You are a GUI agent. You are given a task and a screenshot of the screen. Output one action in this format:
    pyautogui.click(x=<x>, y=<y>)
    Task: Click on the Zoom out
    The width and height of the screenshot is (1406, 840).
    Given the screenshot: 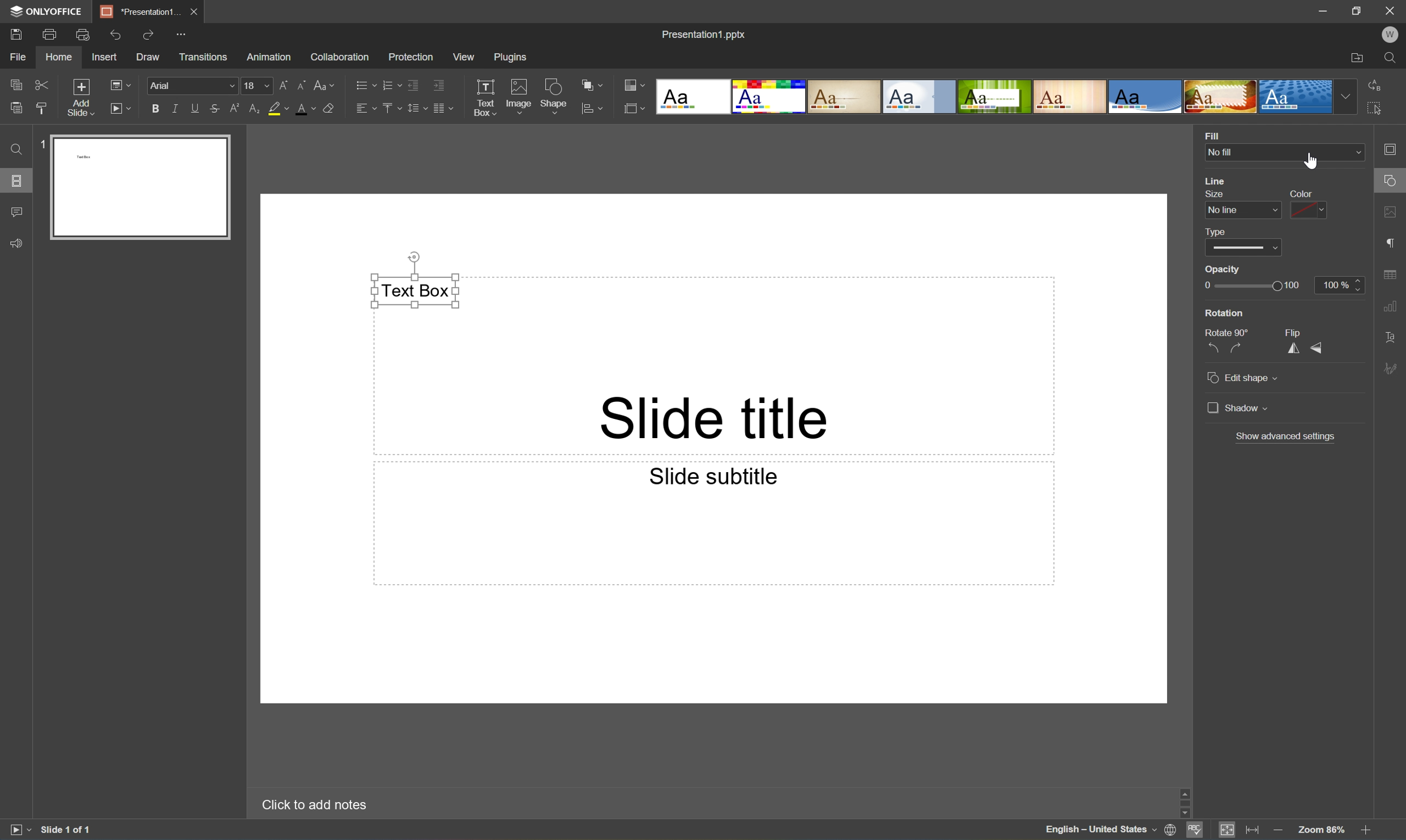 What is the action you would take?
    pyautogui.click(x=1278, y=829)
    